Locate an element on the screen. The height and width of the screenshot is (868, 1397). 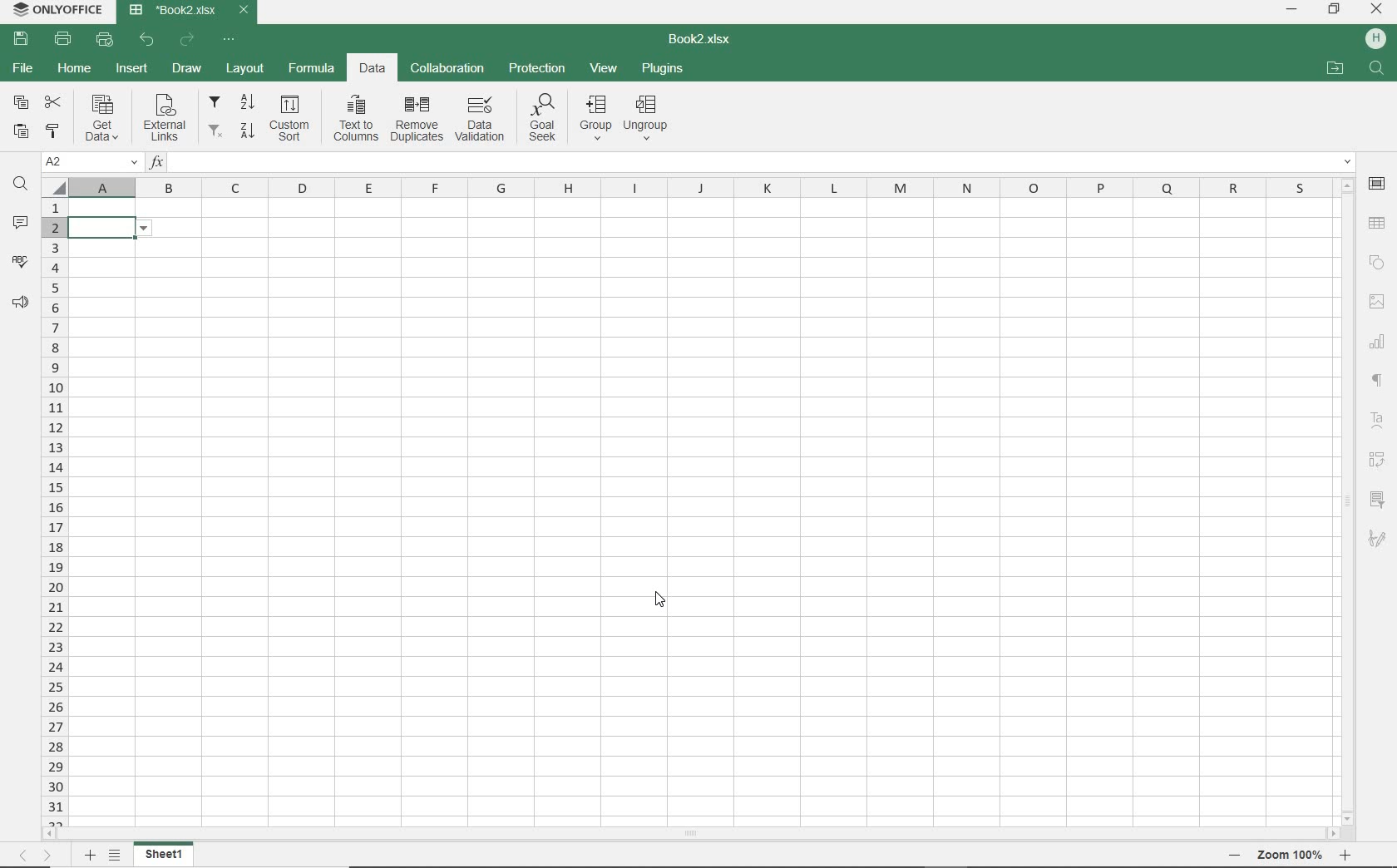
data validation for list is located at coordinates (119, 228).